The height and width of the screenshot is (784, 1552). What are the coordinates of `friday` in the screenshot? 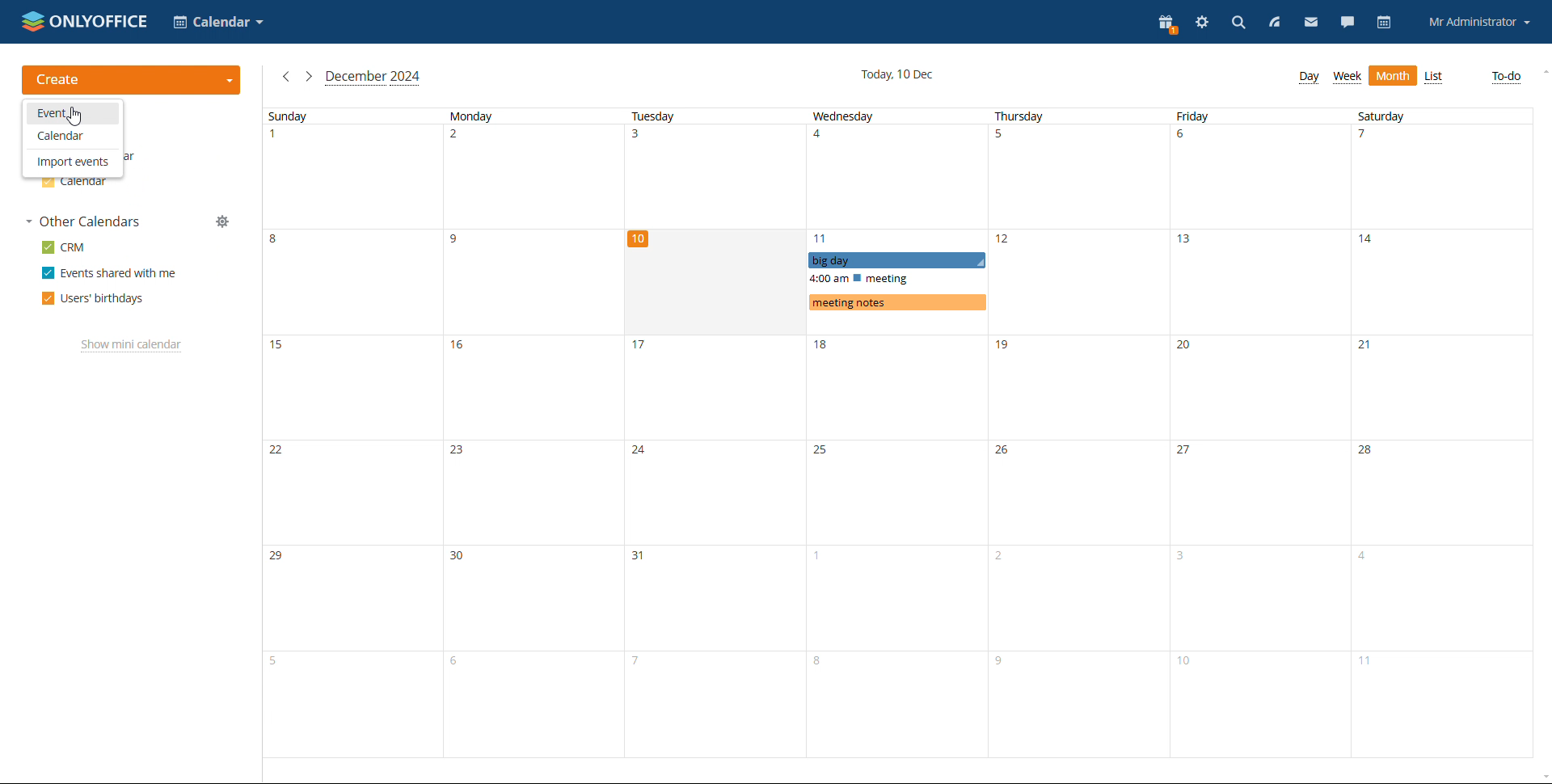 It's located at (1261, 433).